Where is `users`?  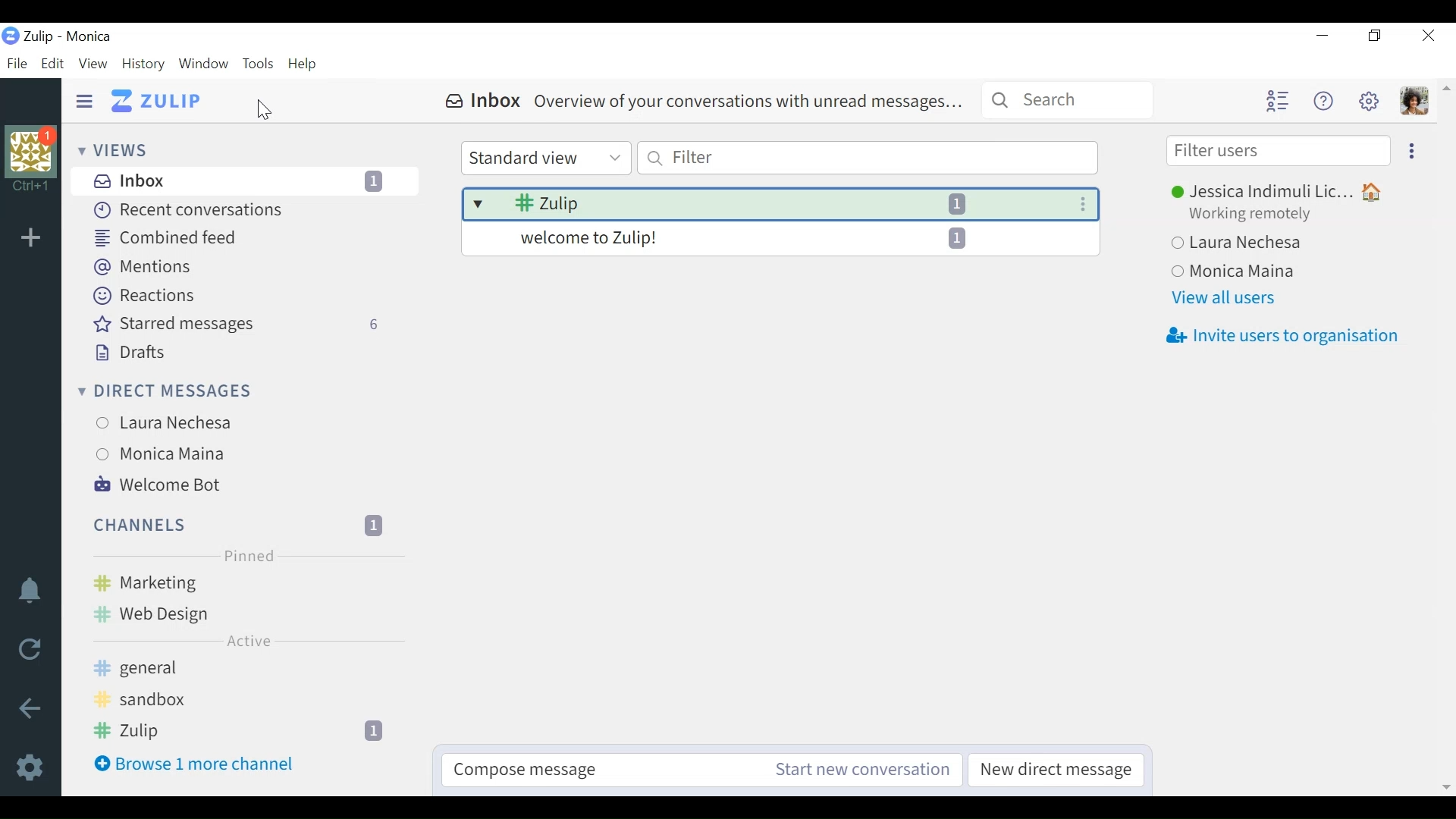
users is located at coordinates (173, 453).